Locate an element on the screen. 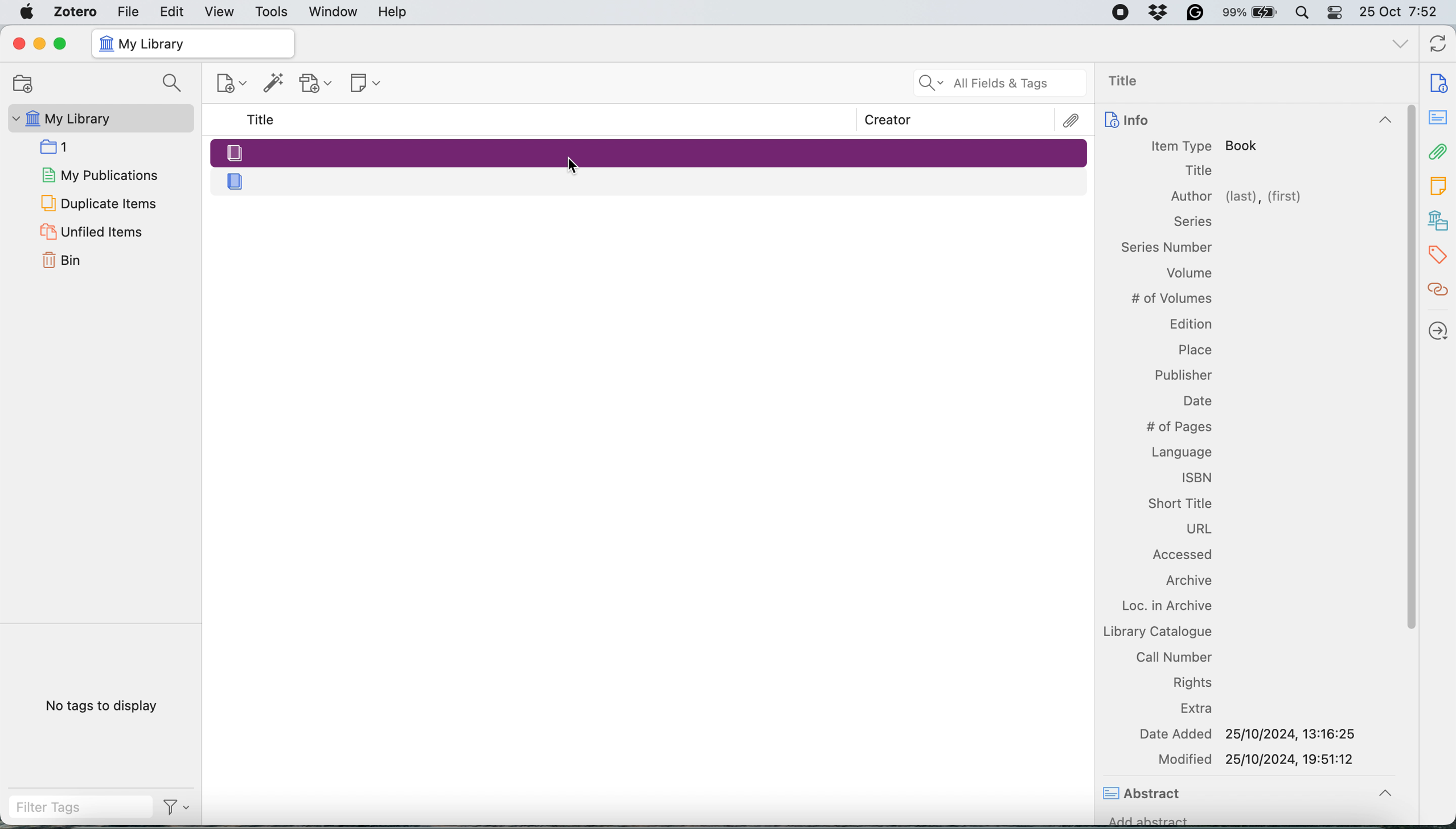  Open Folder is located at coordinates (21, 83).